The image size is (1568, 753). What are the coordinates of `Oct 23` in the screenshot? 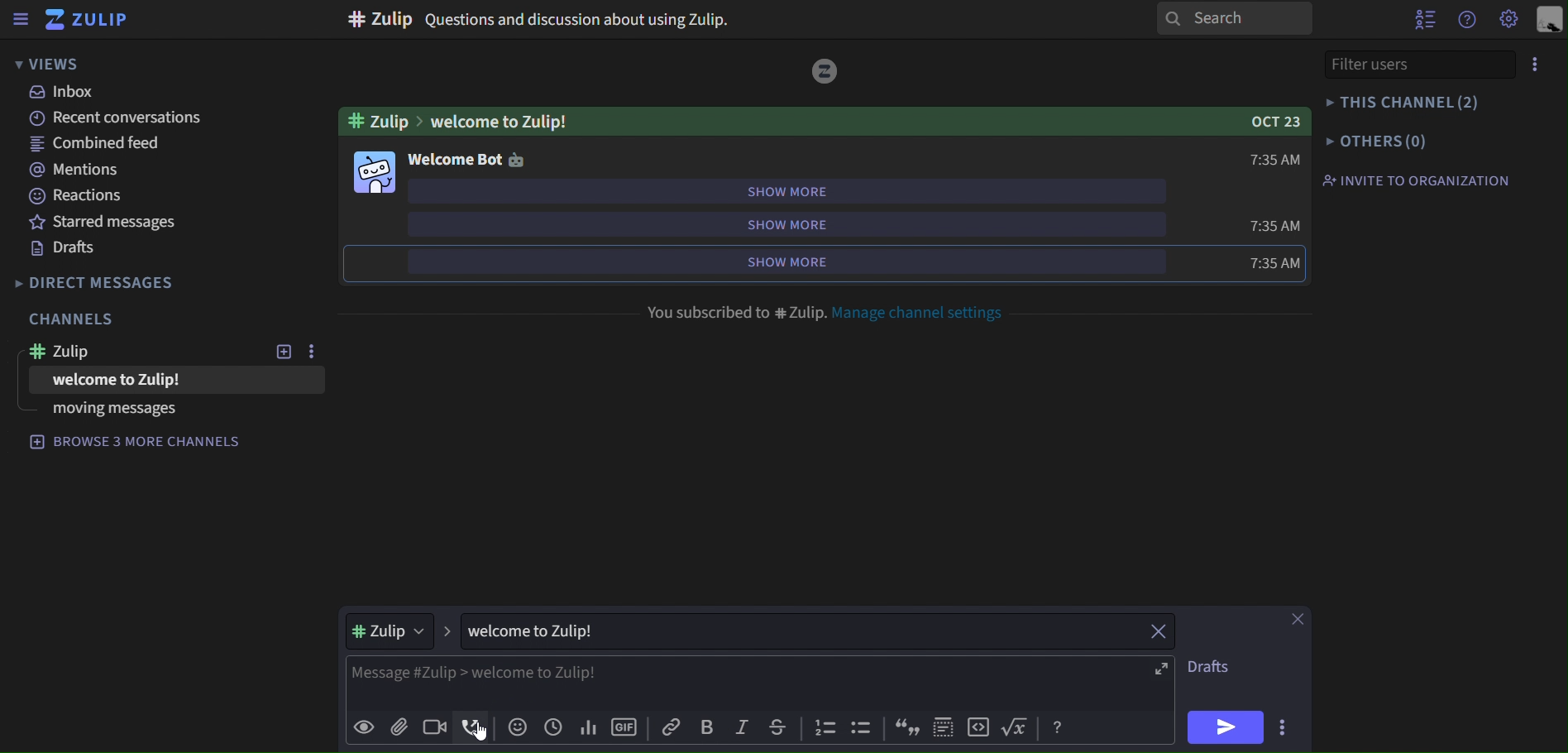 It's located at (1264, 119).